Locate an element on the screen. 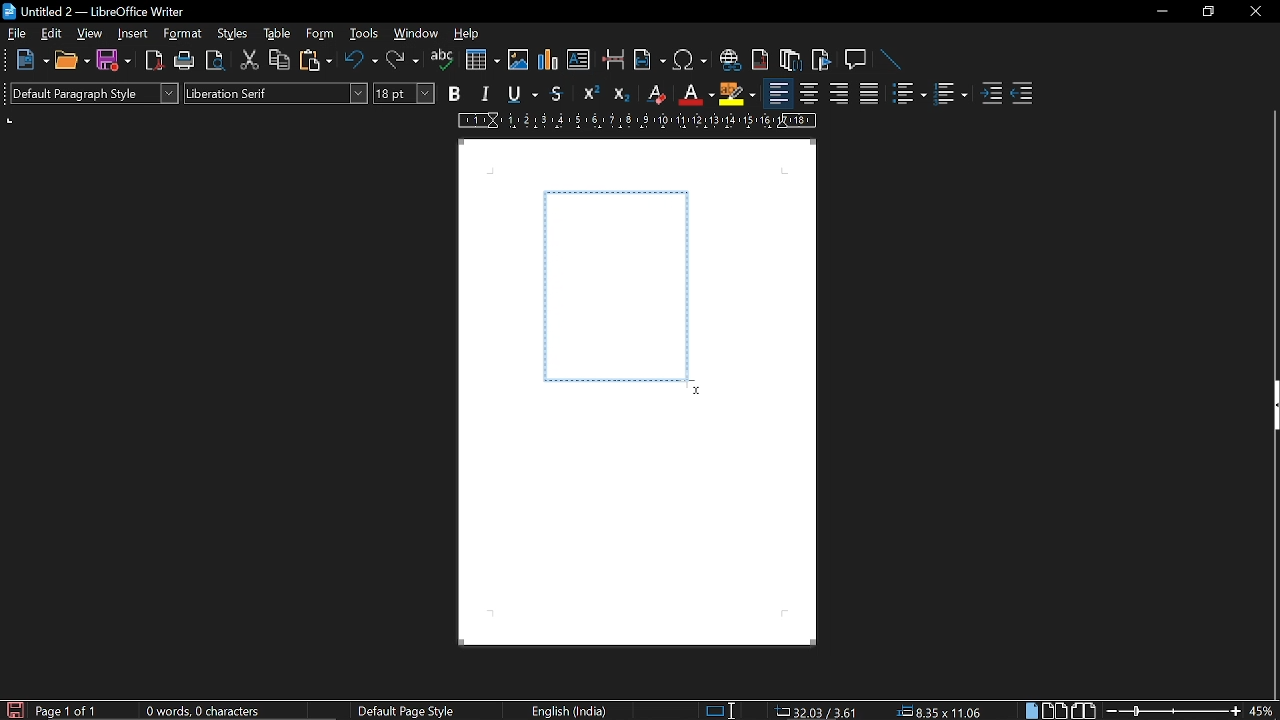  insert field is located at coordinates (649, 62).